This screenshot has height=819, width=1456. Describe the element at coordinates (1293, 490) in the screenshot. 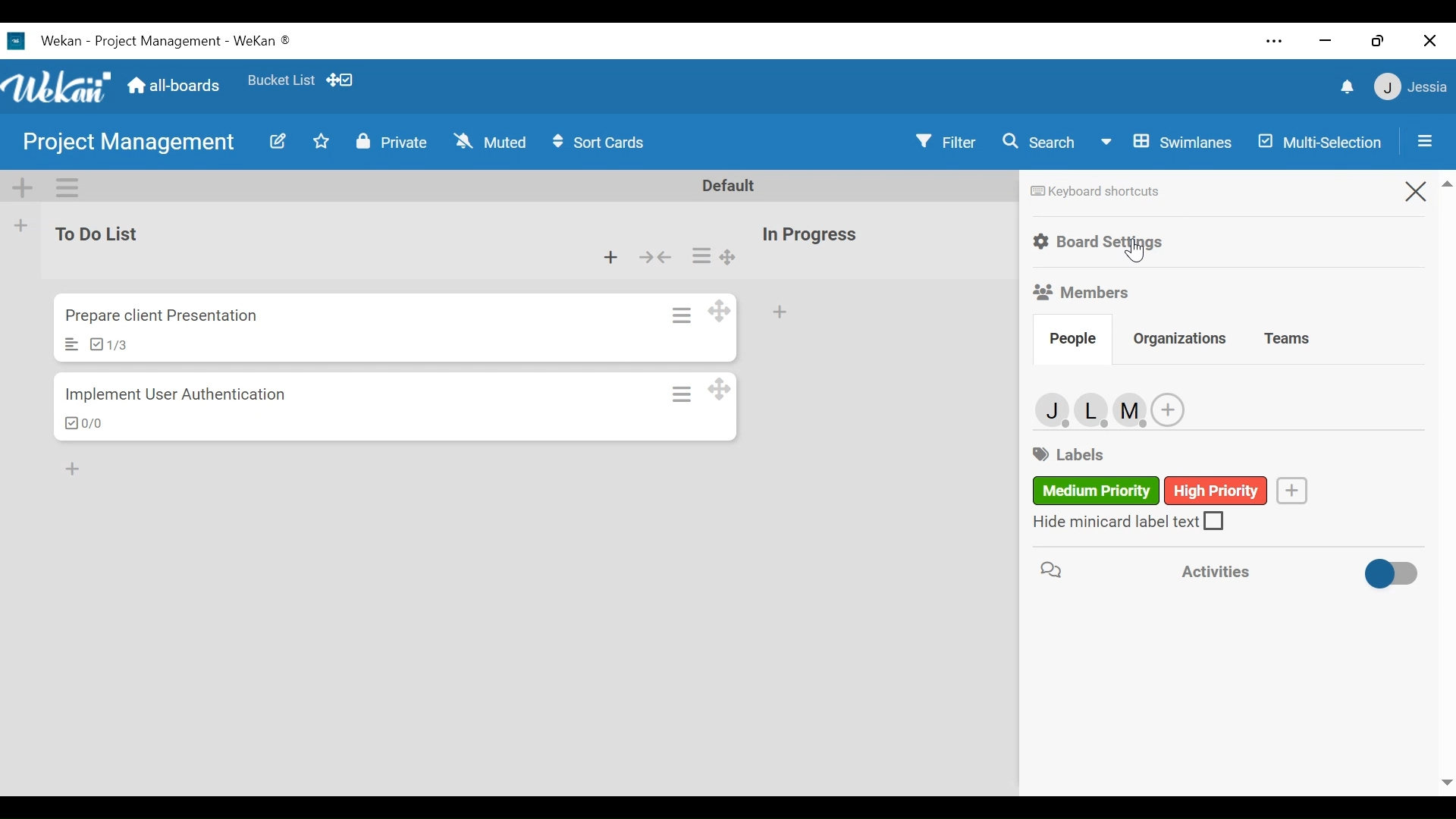

I see `Create label` at that location.